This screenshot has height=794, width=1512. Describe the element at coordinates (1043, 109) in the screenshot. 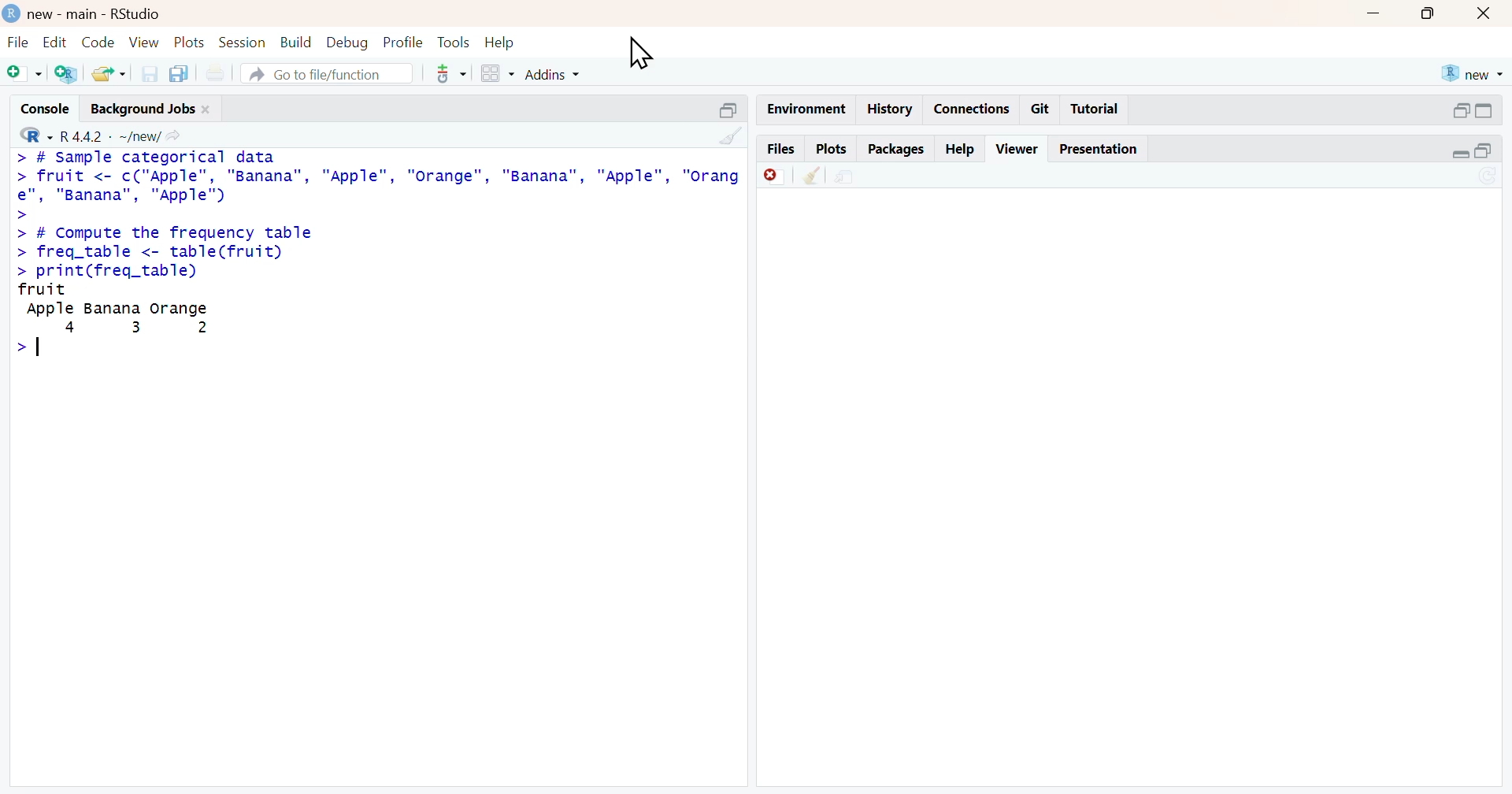

I see `git` at that location.